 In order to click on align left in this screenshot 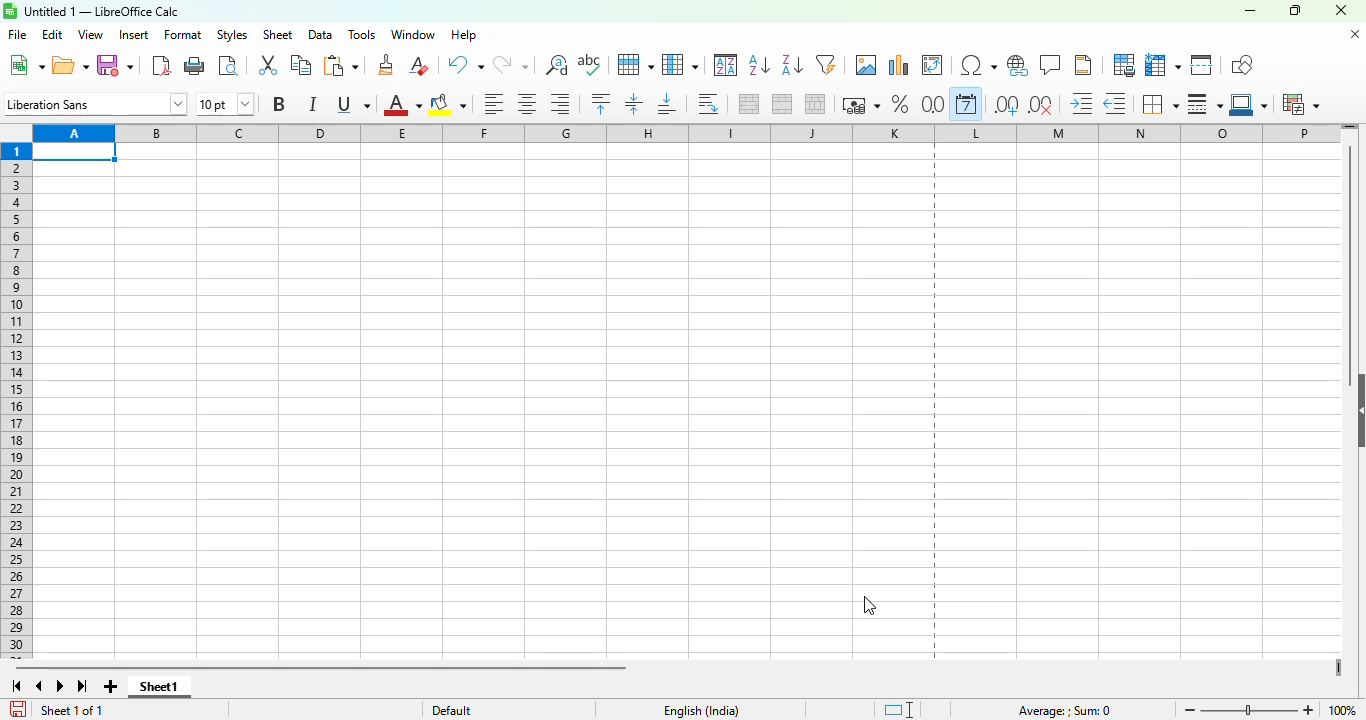, I will do `click(493, 104)`.